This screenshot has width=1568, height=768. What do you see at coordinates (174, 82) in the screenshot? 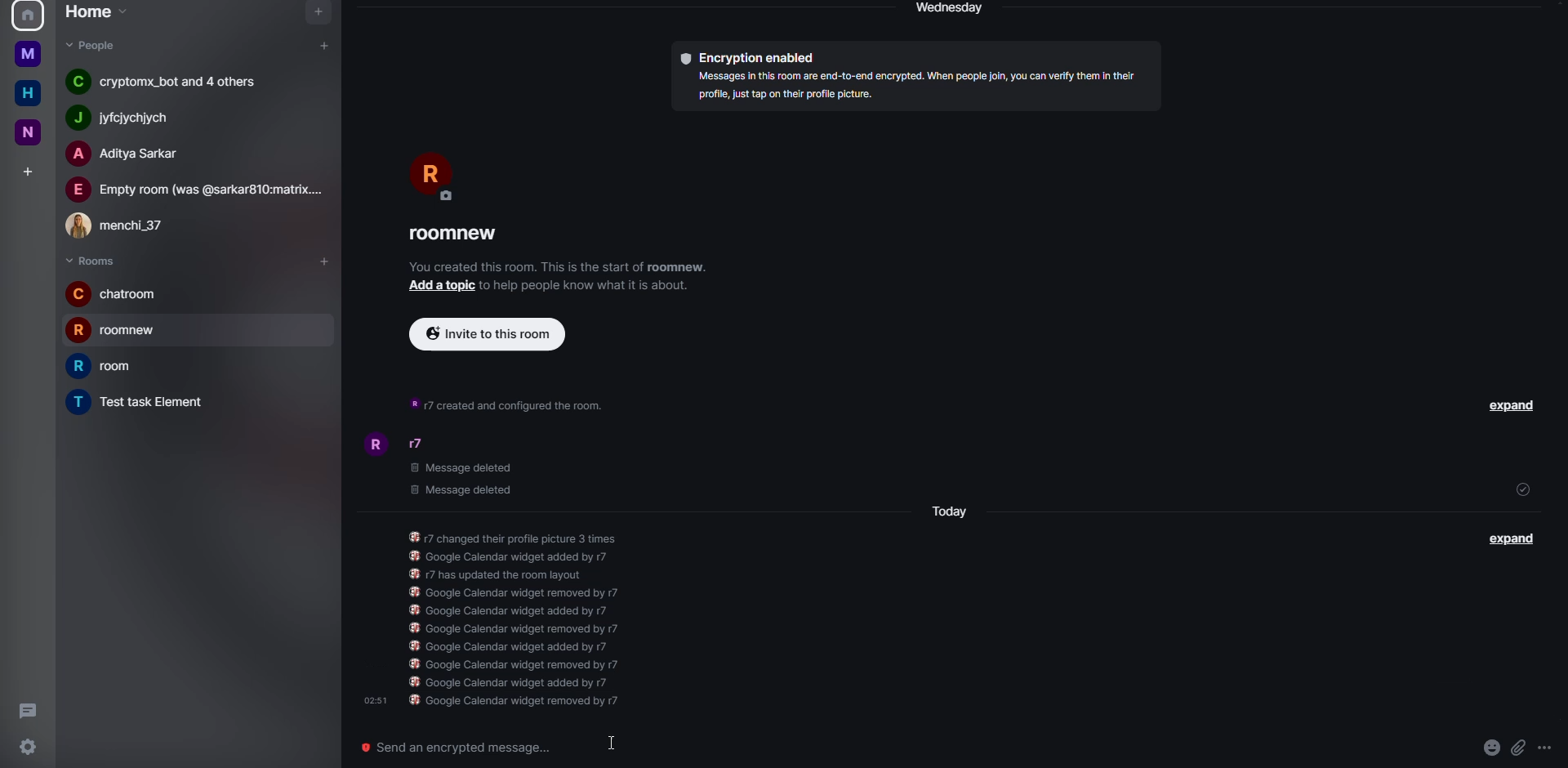
I see `people` at bounding box center [174, 82].